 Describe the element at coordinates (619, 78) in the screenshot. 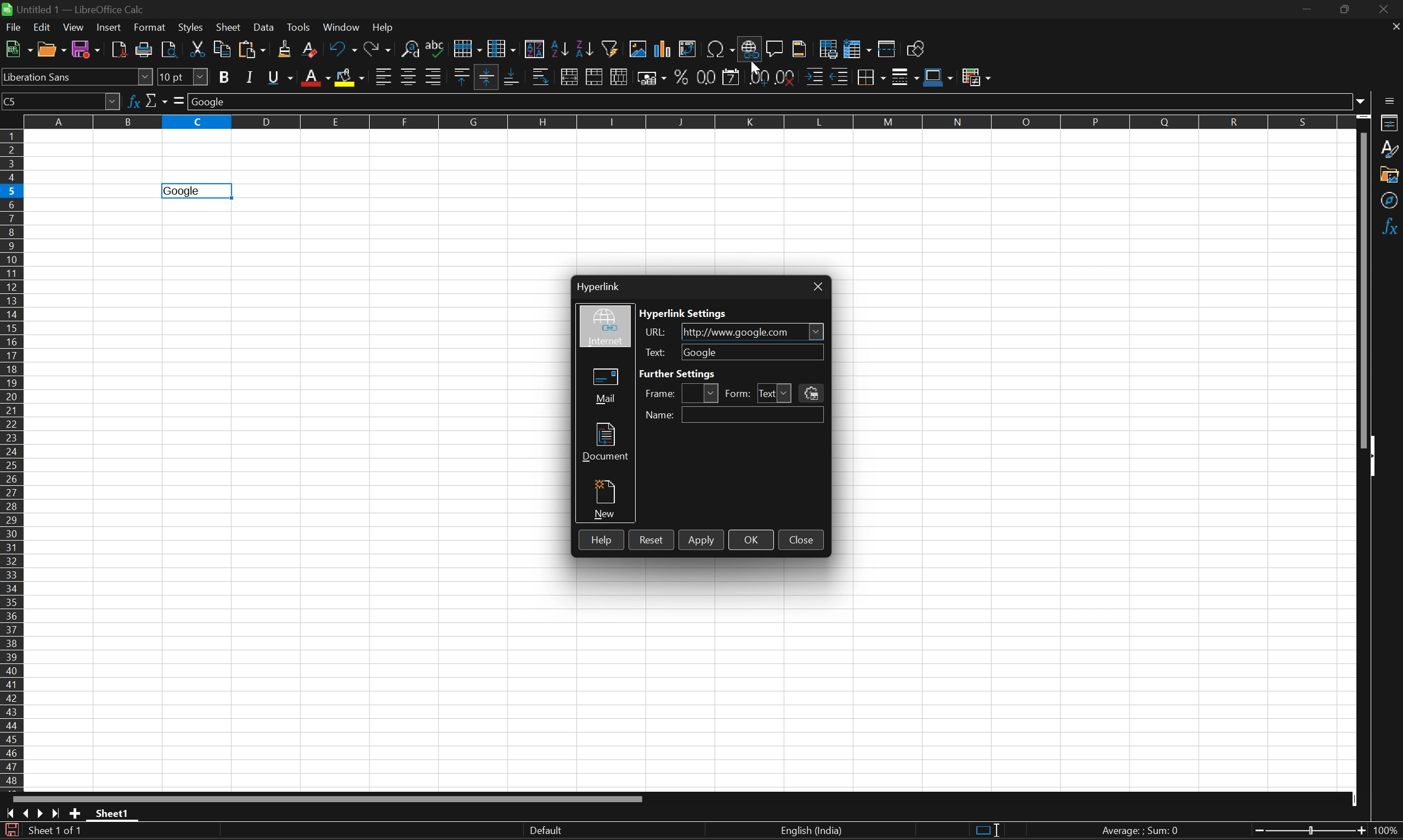

I see `Unmerge cells` at that location.